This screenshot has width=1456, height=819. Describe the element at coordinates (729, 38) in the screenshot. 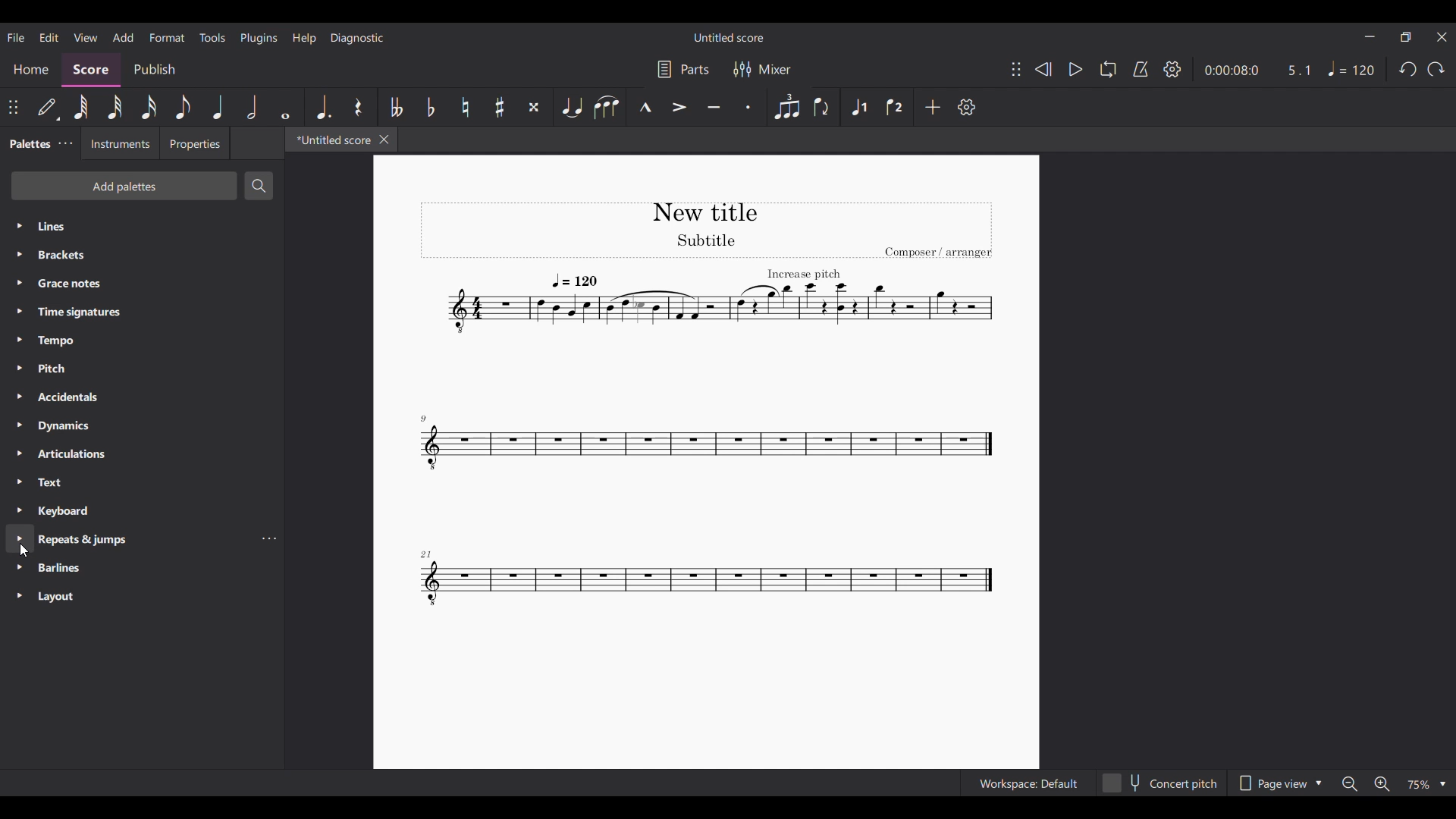

I see `Untitled score` at that location.